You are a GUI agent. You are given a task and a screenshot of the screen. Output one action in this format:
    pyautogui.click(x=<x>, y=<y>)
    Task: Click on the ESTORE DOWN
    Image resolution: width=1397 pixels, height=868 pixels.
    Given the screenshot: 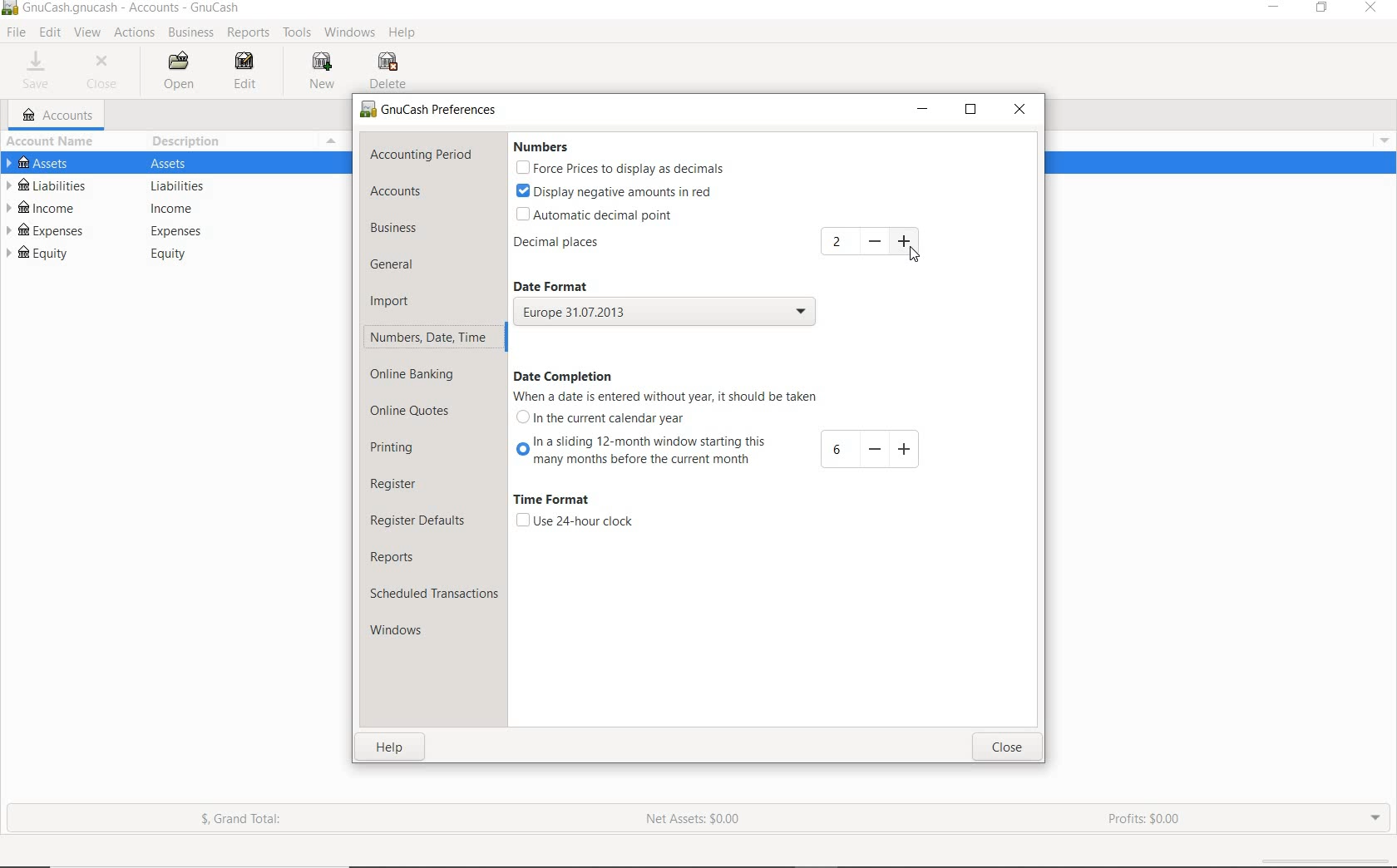 What is the action you would take?
    pyautogui.click(x=971, y=109)
    